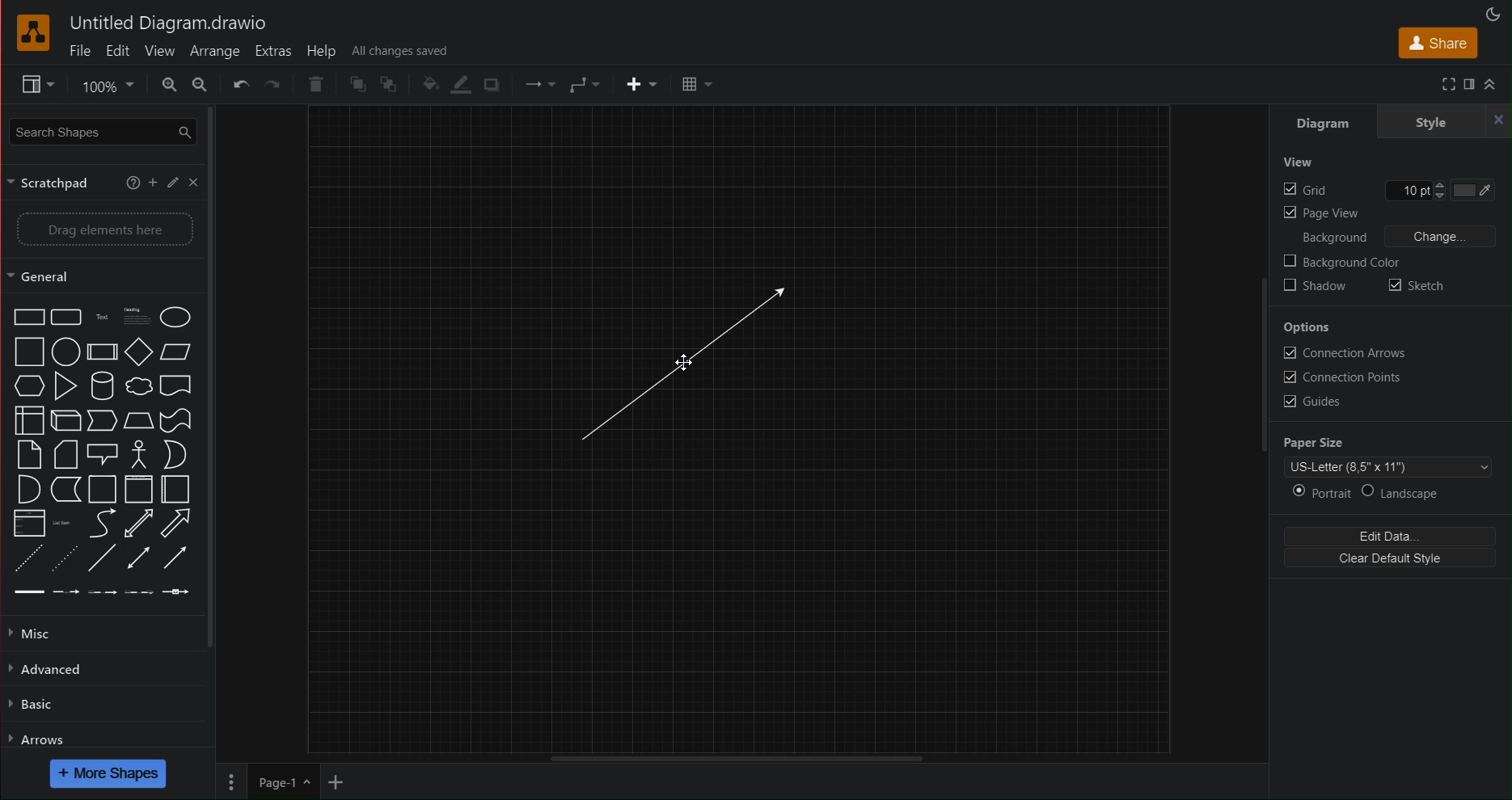 This screenshot has height=800, width=1512. Describe the element at coordinates (1306, 403) in the screenshot. I see `Guides` at that location.